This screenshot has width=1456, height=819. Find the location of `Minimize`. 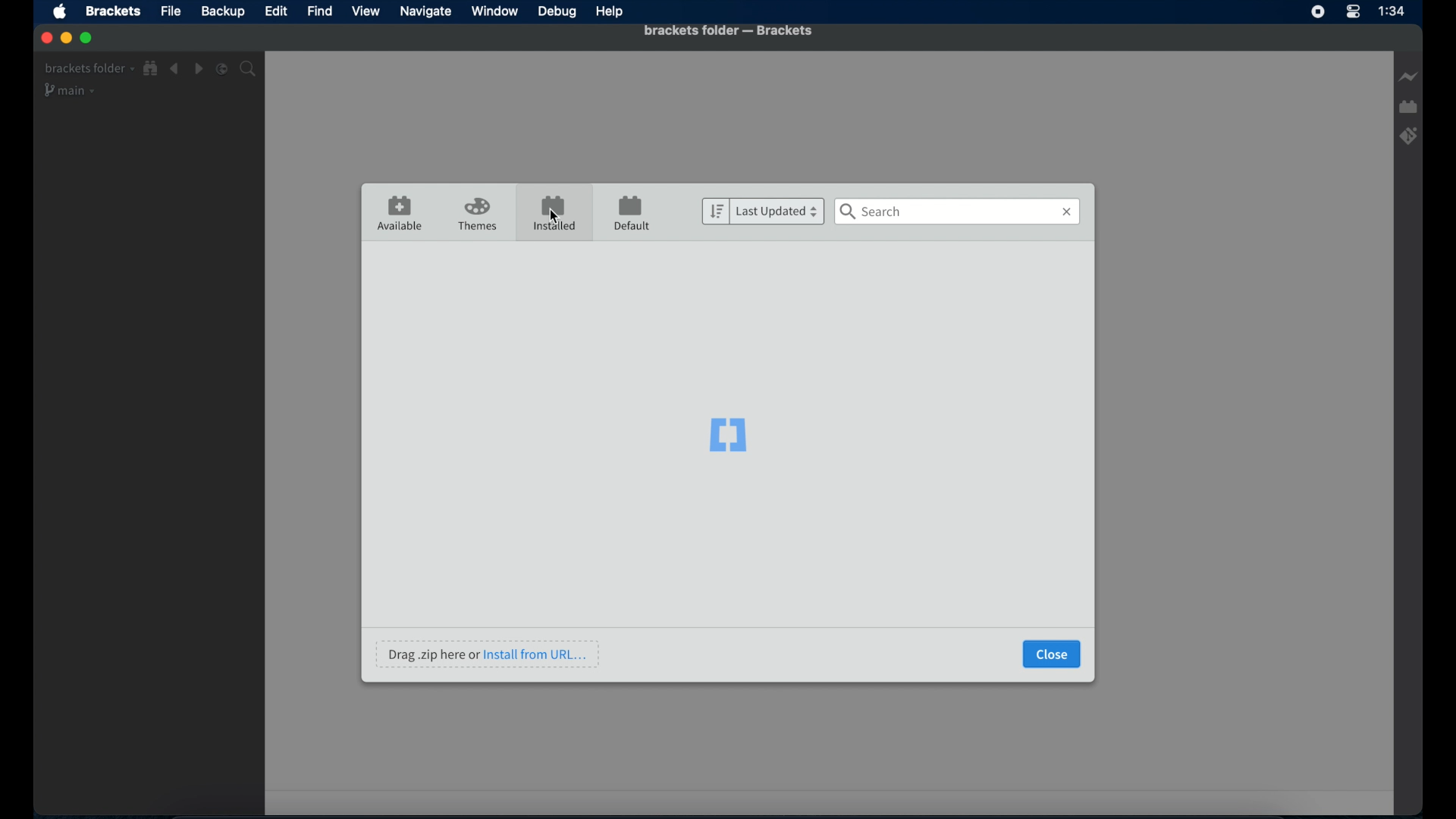

Minimize is located at coordinates (65, 38).